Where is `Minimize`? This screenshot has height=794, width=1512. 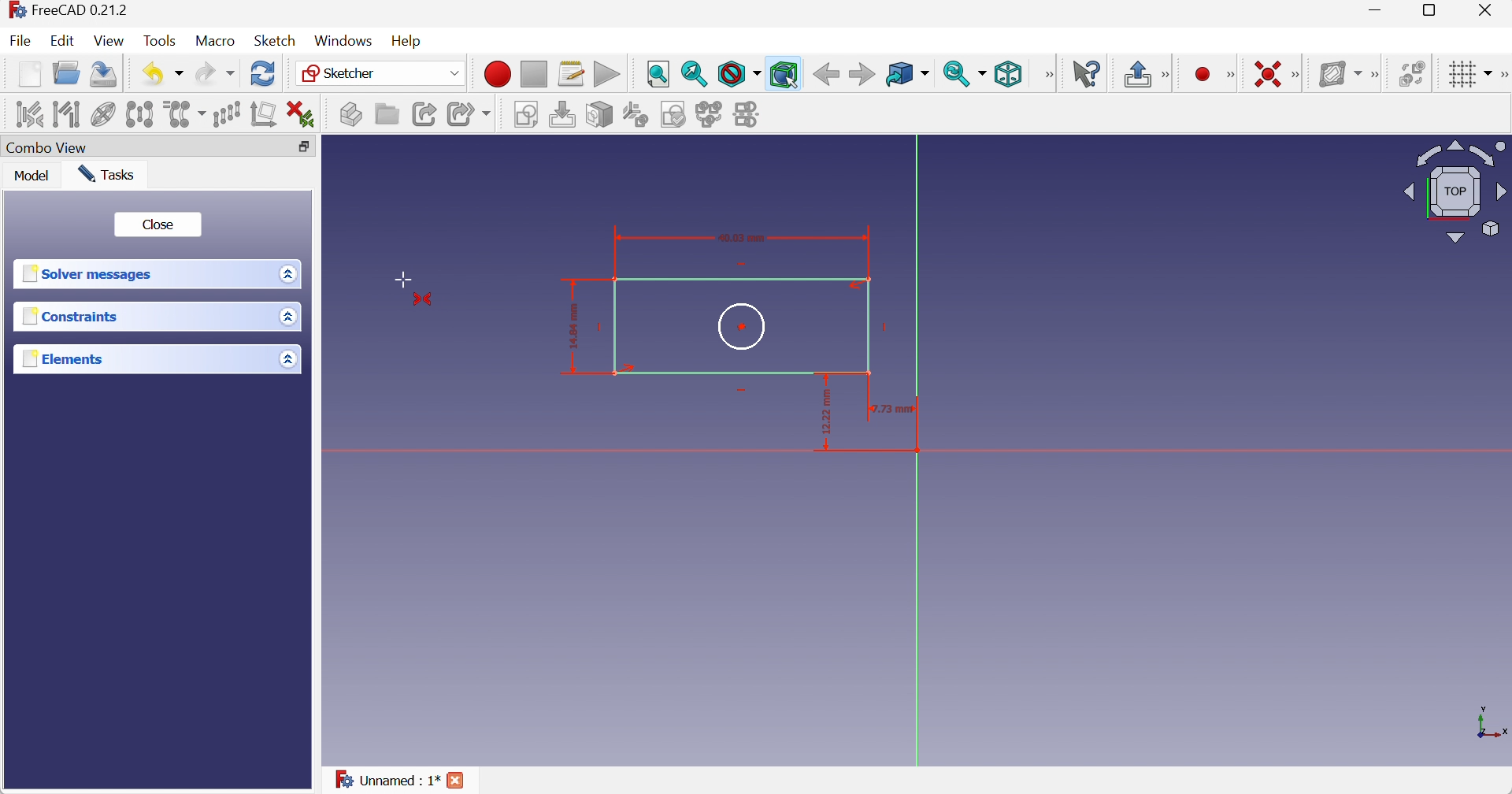 Minimize is located at coordinates (1378, 10).